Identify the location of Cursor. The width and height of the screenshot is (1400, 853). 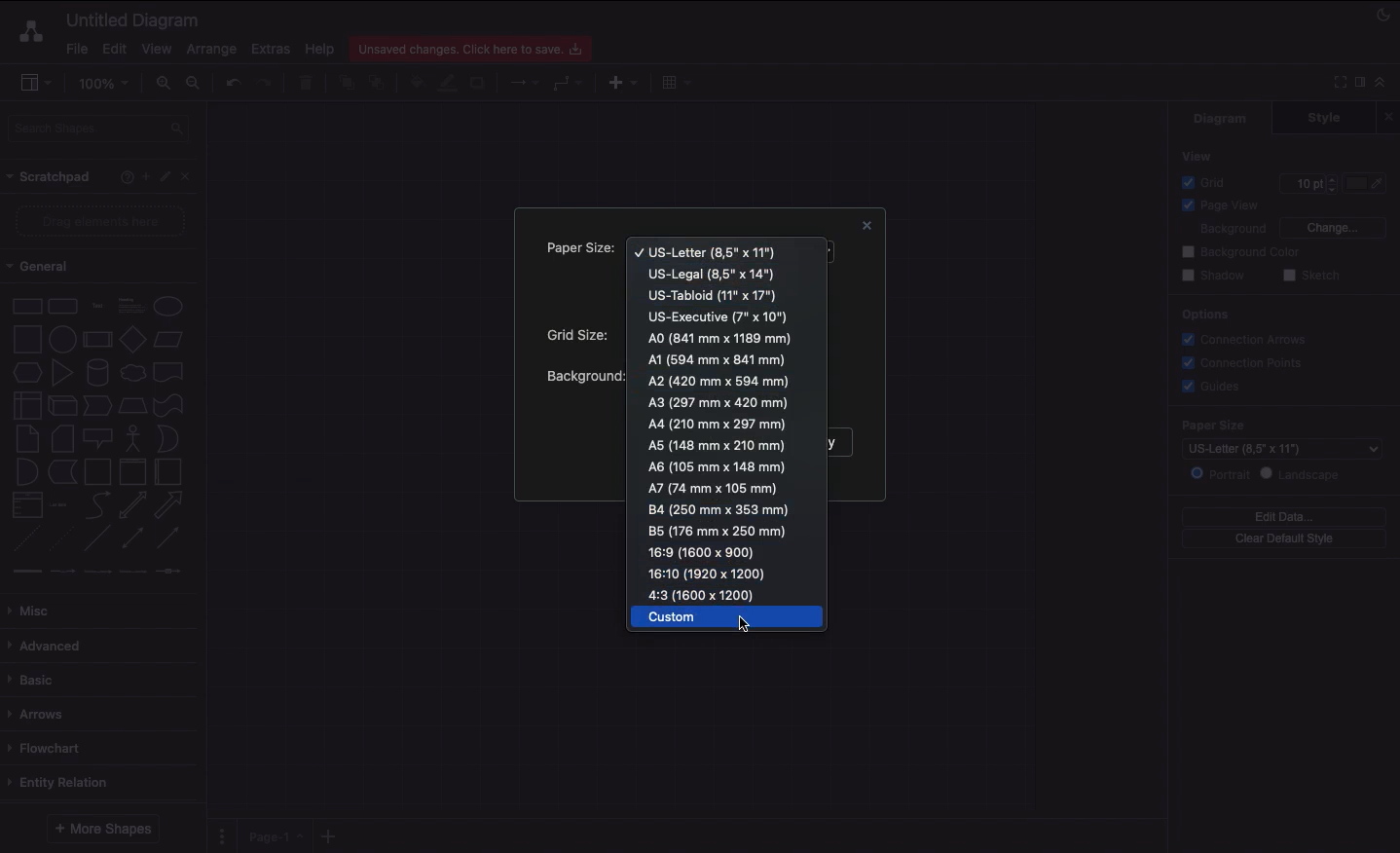
(743, 624).